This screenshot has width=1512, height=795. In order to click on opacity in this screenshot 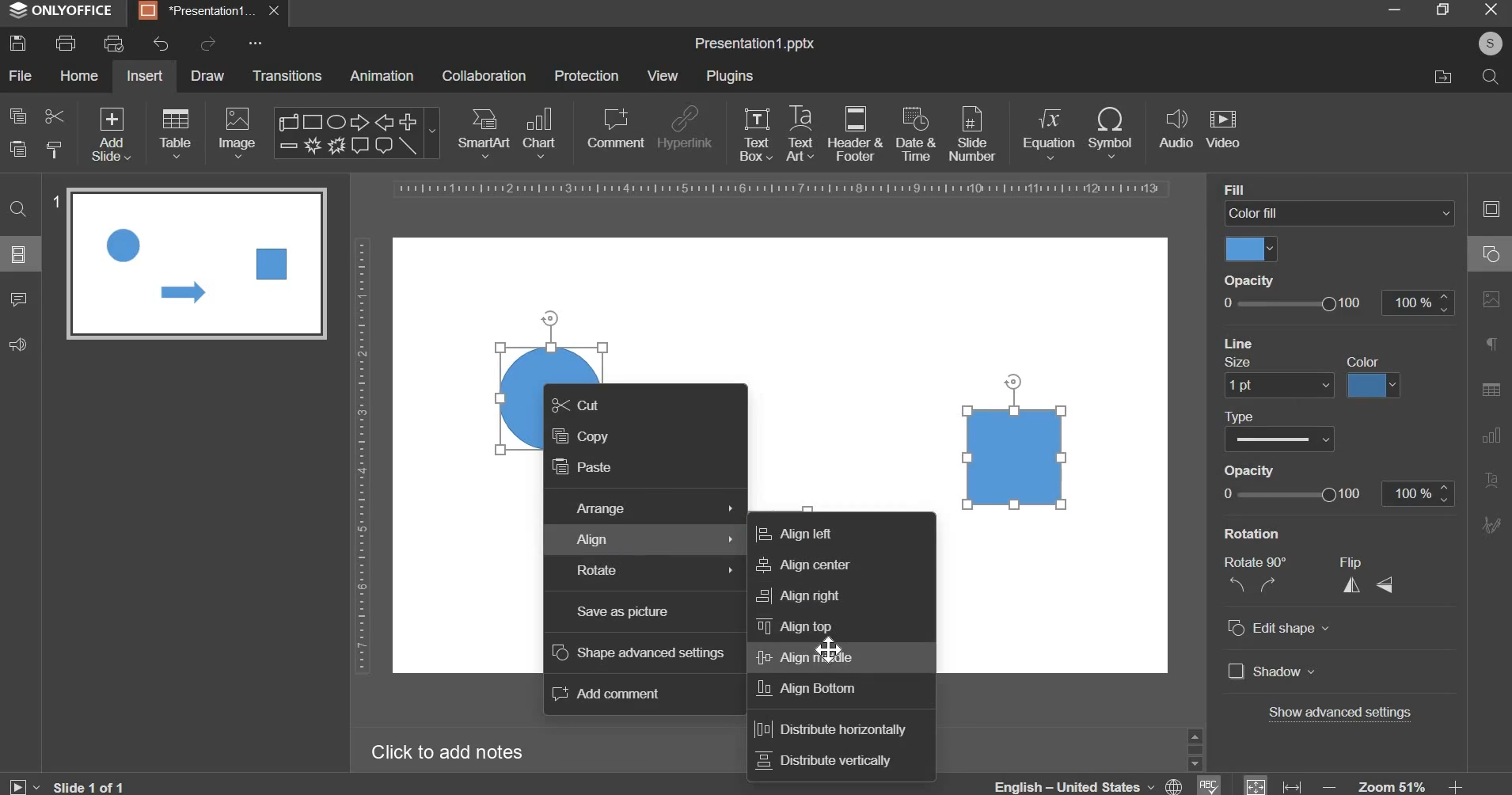, I will do `click(1256, 470)`.